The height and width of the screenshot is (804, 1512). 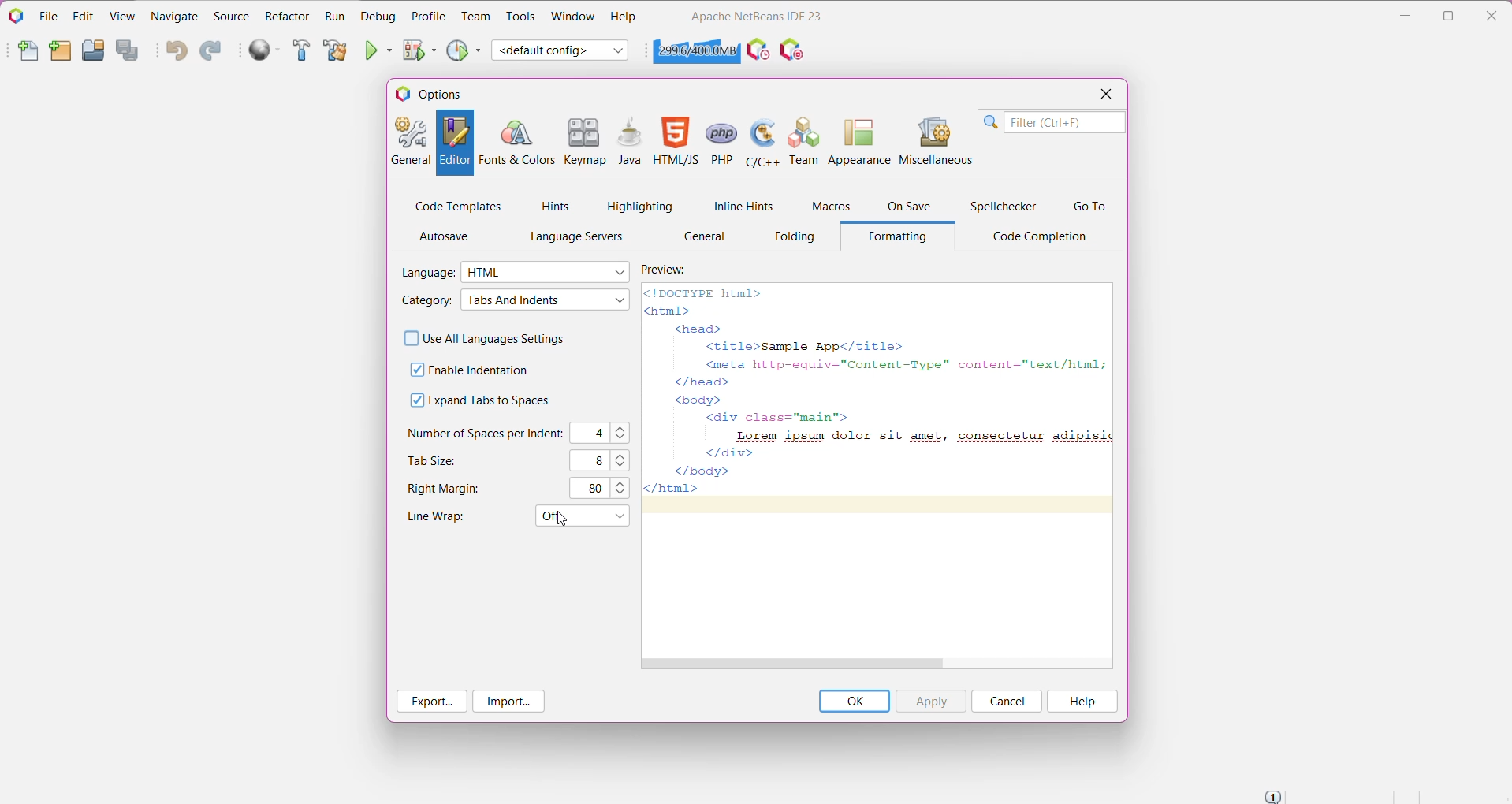 I want to click on Language, so click(x=428, y=272).